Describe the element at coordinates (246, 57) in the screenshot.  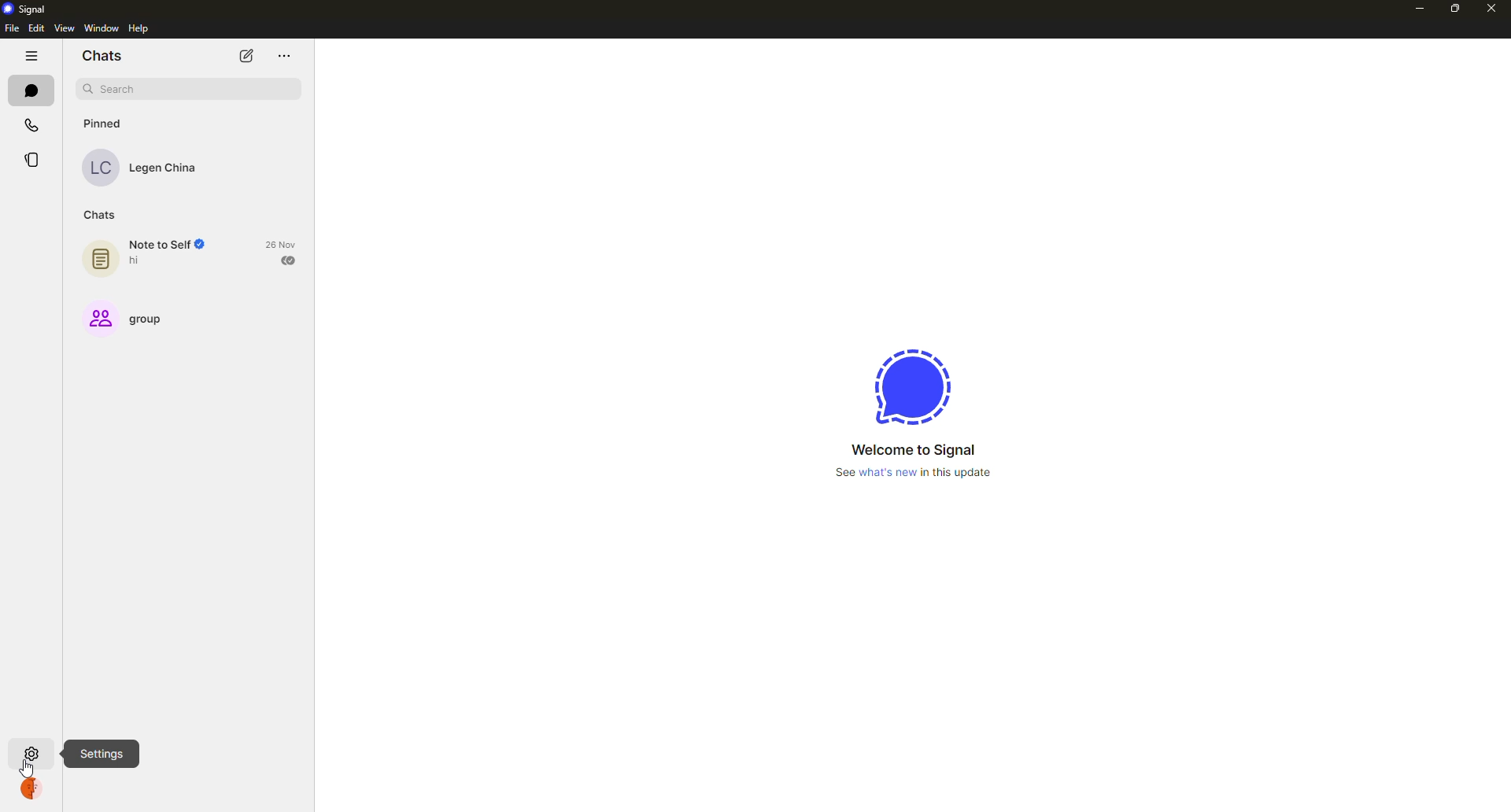
I see `new chat` at that location.